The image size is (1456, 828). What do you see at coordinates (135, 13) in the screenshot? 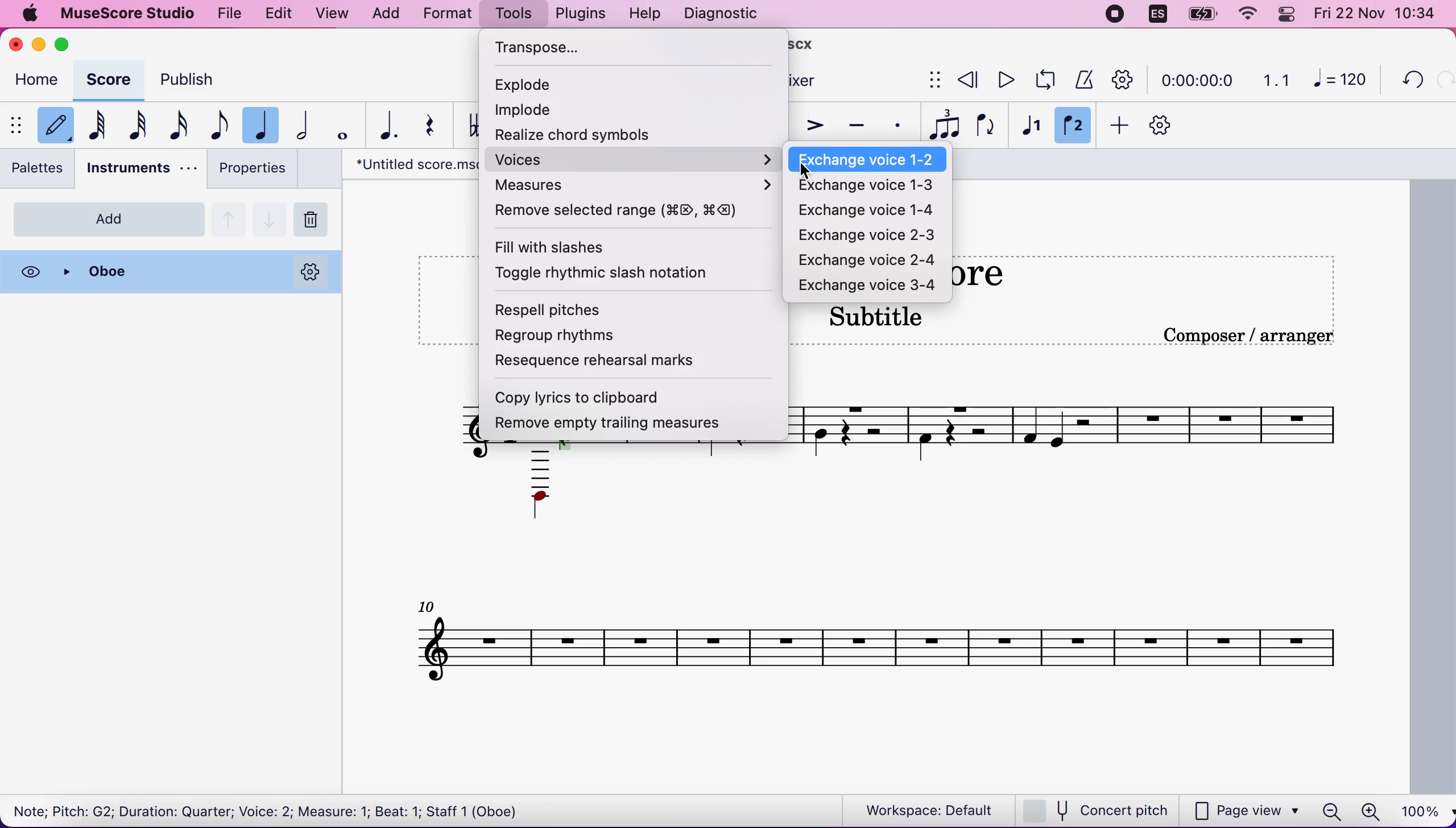
I see `musescore studio` at bounding box center [135, 13].